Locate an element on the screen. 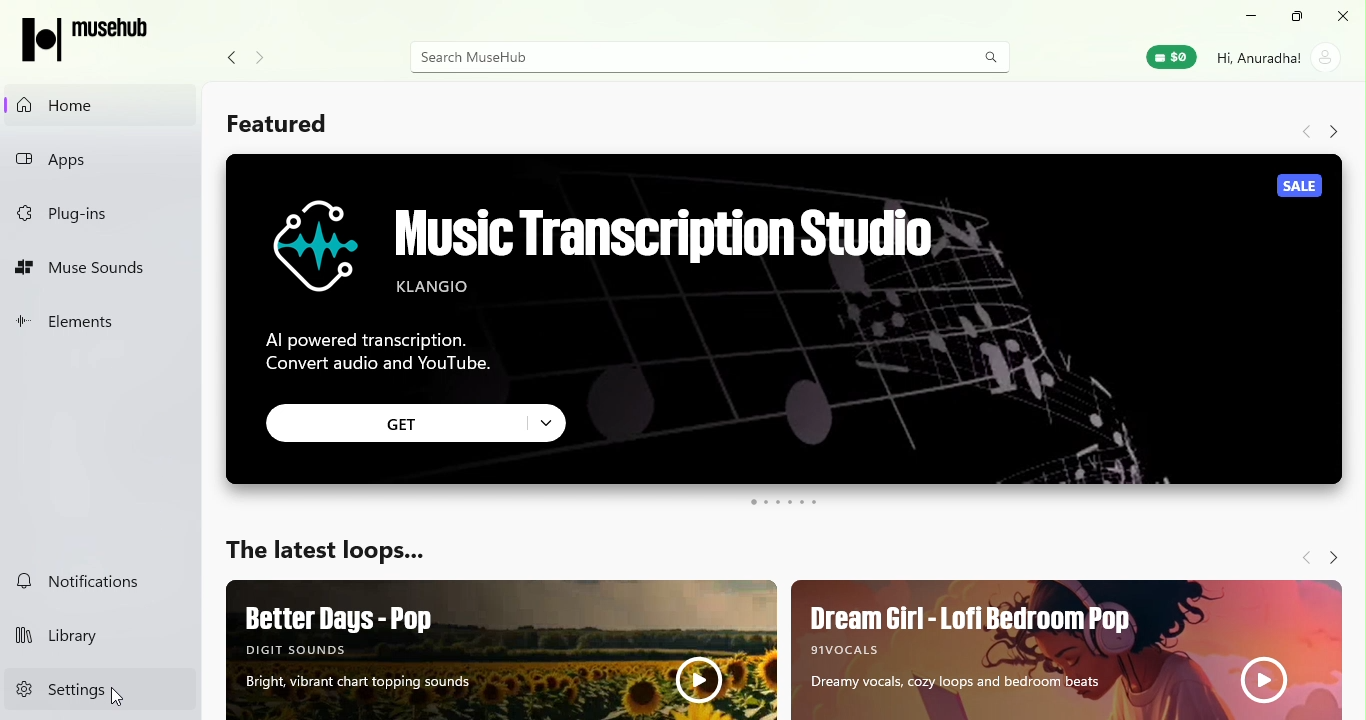  Muse Wallet is located at coordinates (1170, 58).